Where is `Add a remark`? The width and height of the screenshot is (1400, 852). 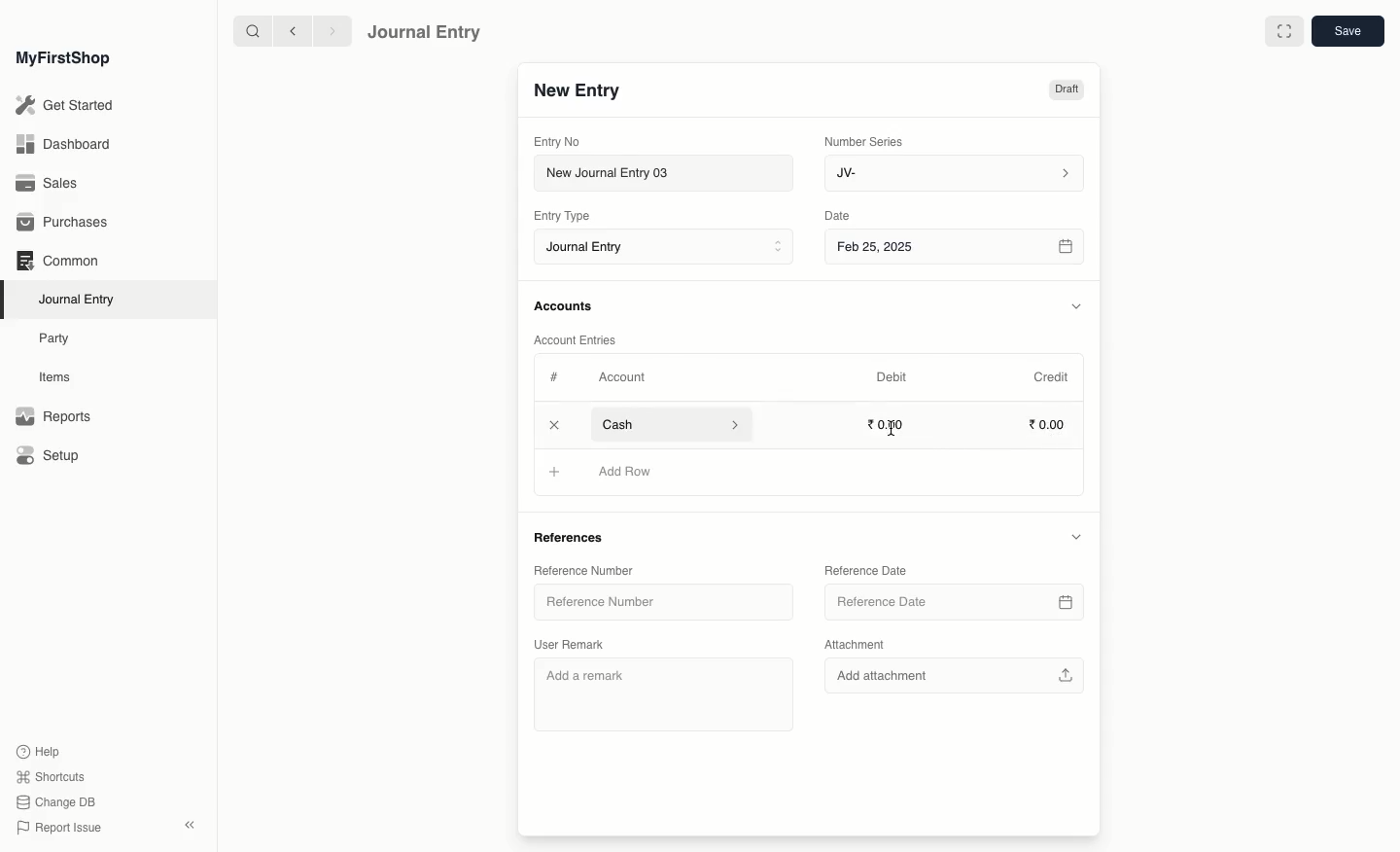 Add a remark is located at coordinates (663, 693).